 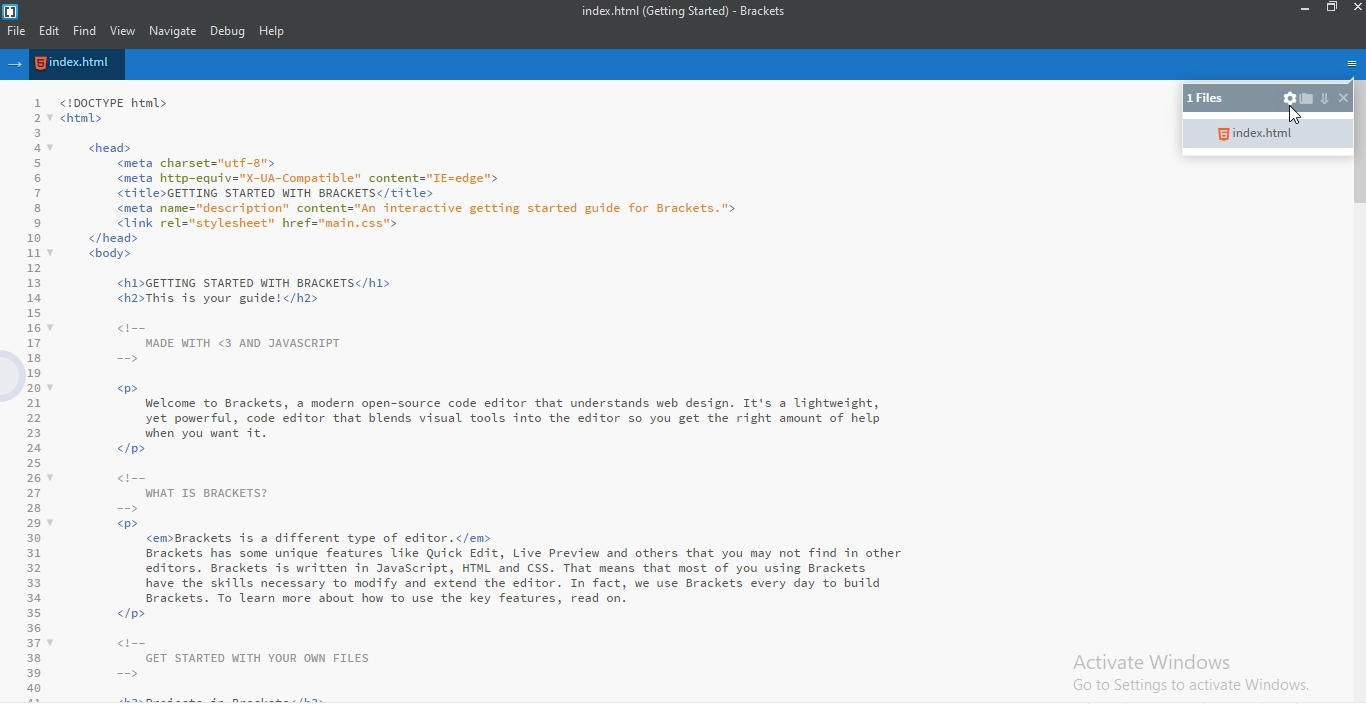 I want to click on options, so click(x=1352, y=64).